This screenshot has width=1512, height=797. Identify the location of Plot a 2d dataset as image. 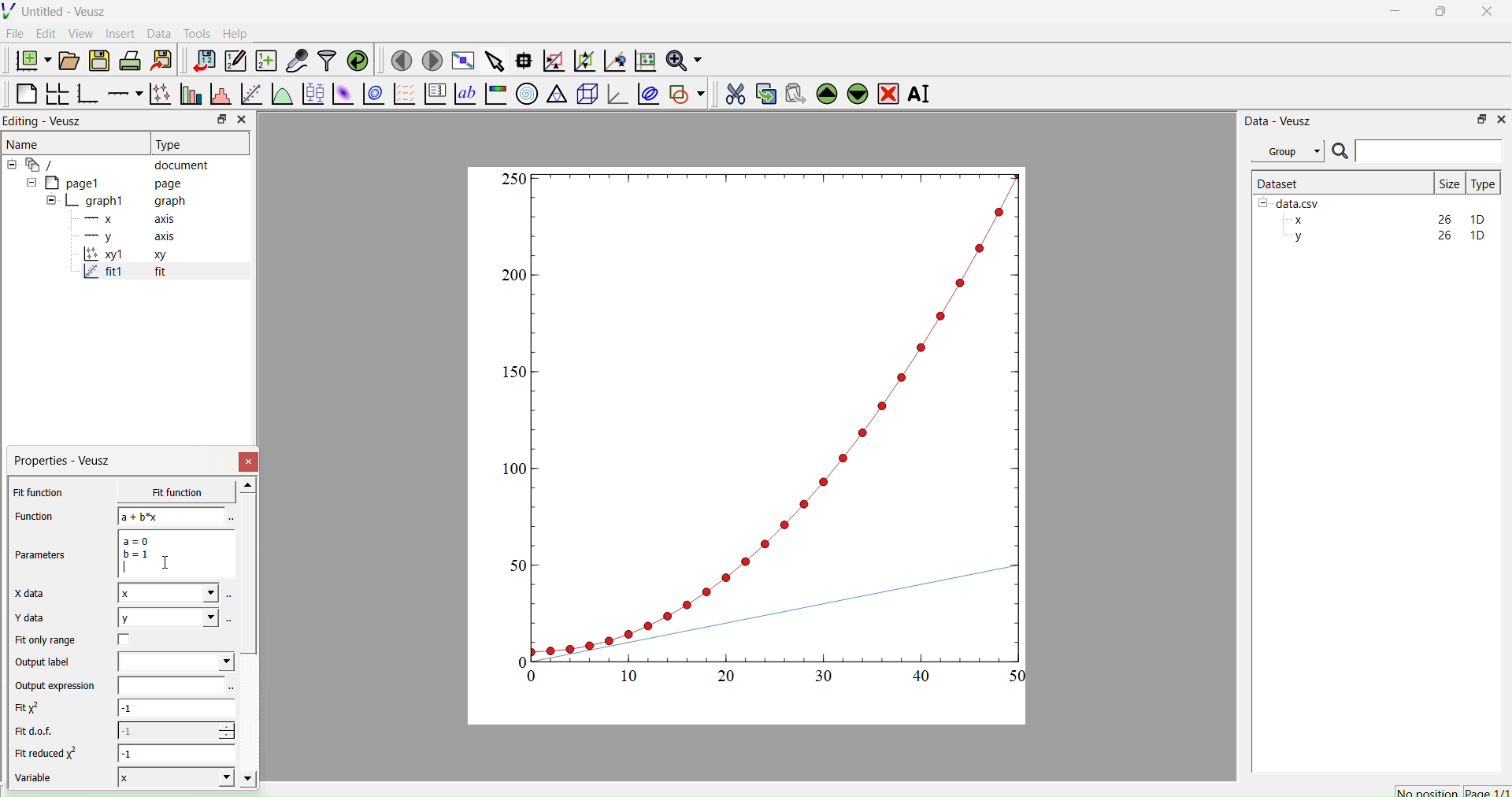
(342, 94).